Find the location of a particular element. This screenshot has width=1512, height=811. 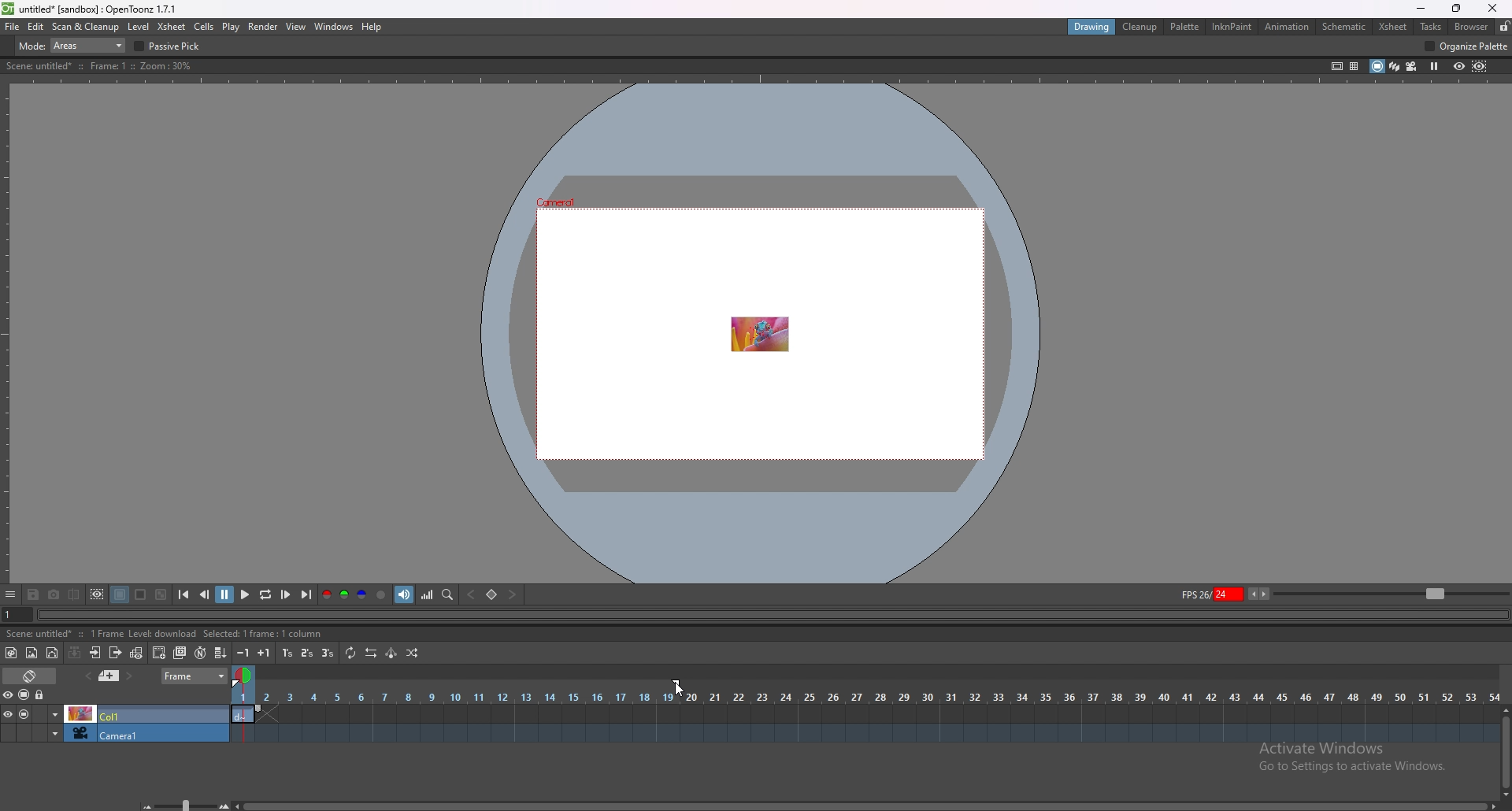

play is located at coordinates (246, 593).